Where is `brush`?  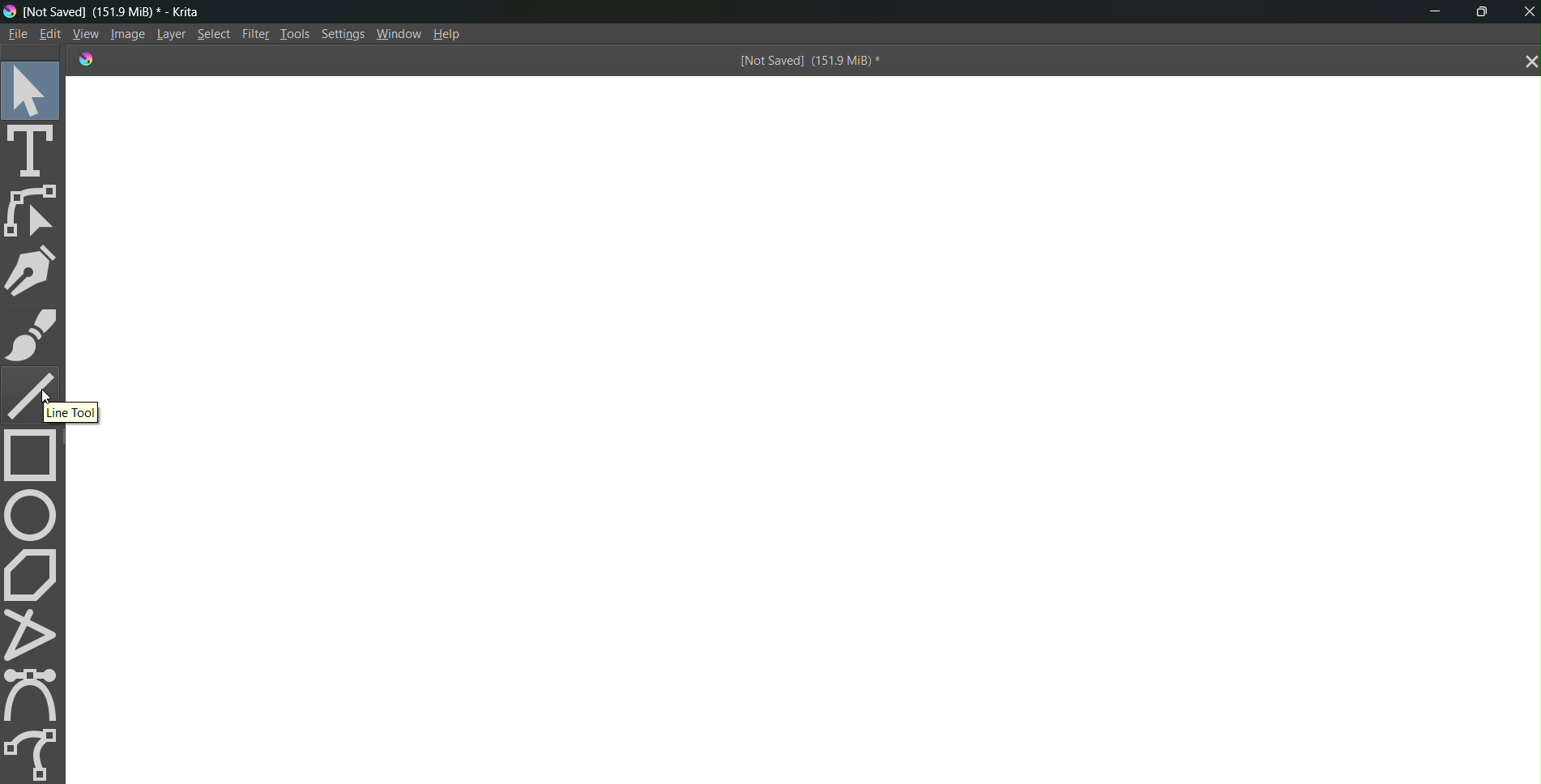
brush is located at coordinates (32, 334).